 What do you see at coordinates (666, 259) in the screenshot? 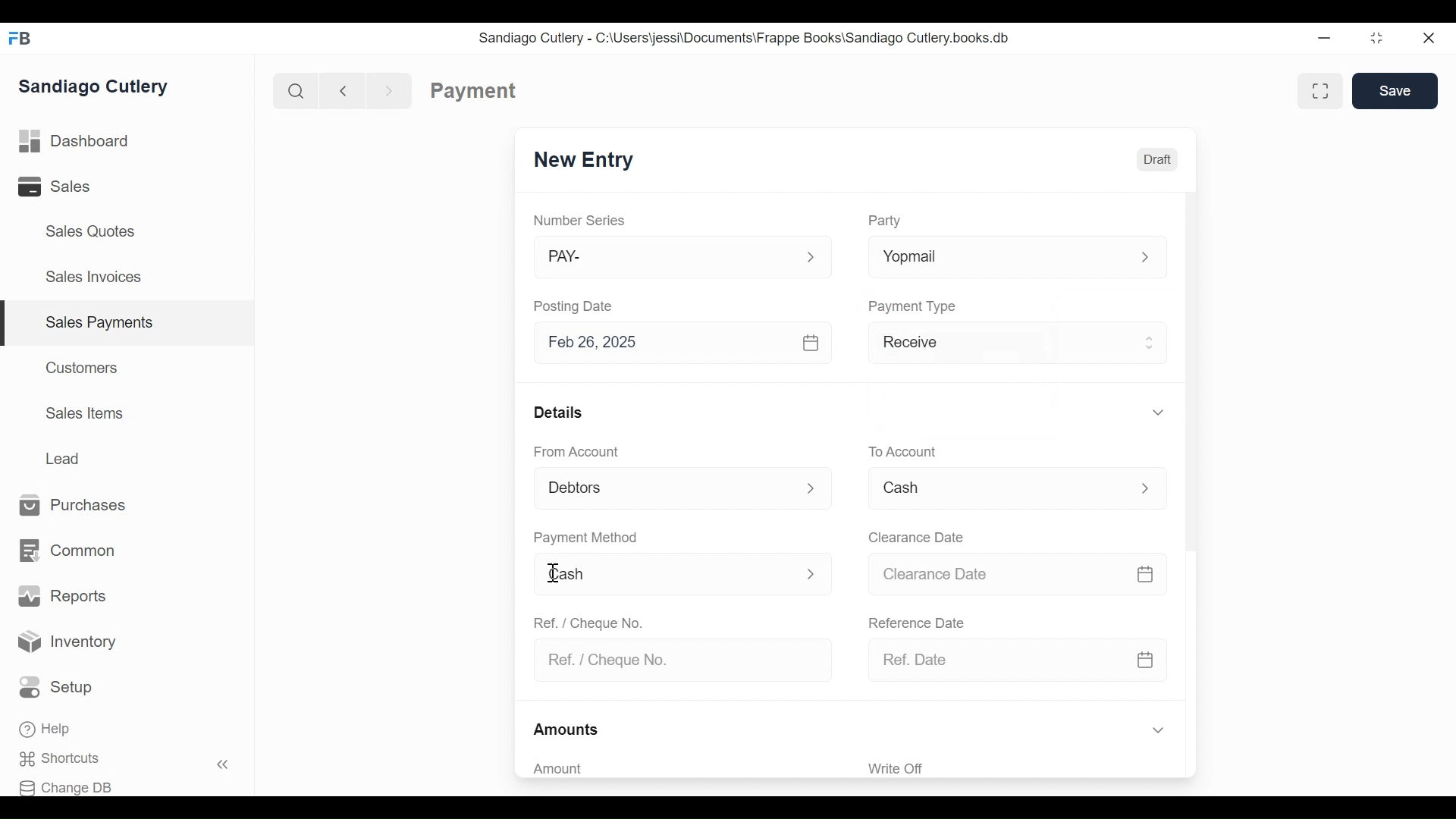
I see `PAY-` at bounding box center [666, 259].